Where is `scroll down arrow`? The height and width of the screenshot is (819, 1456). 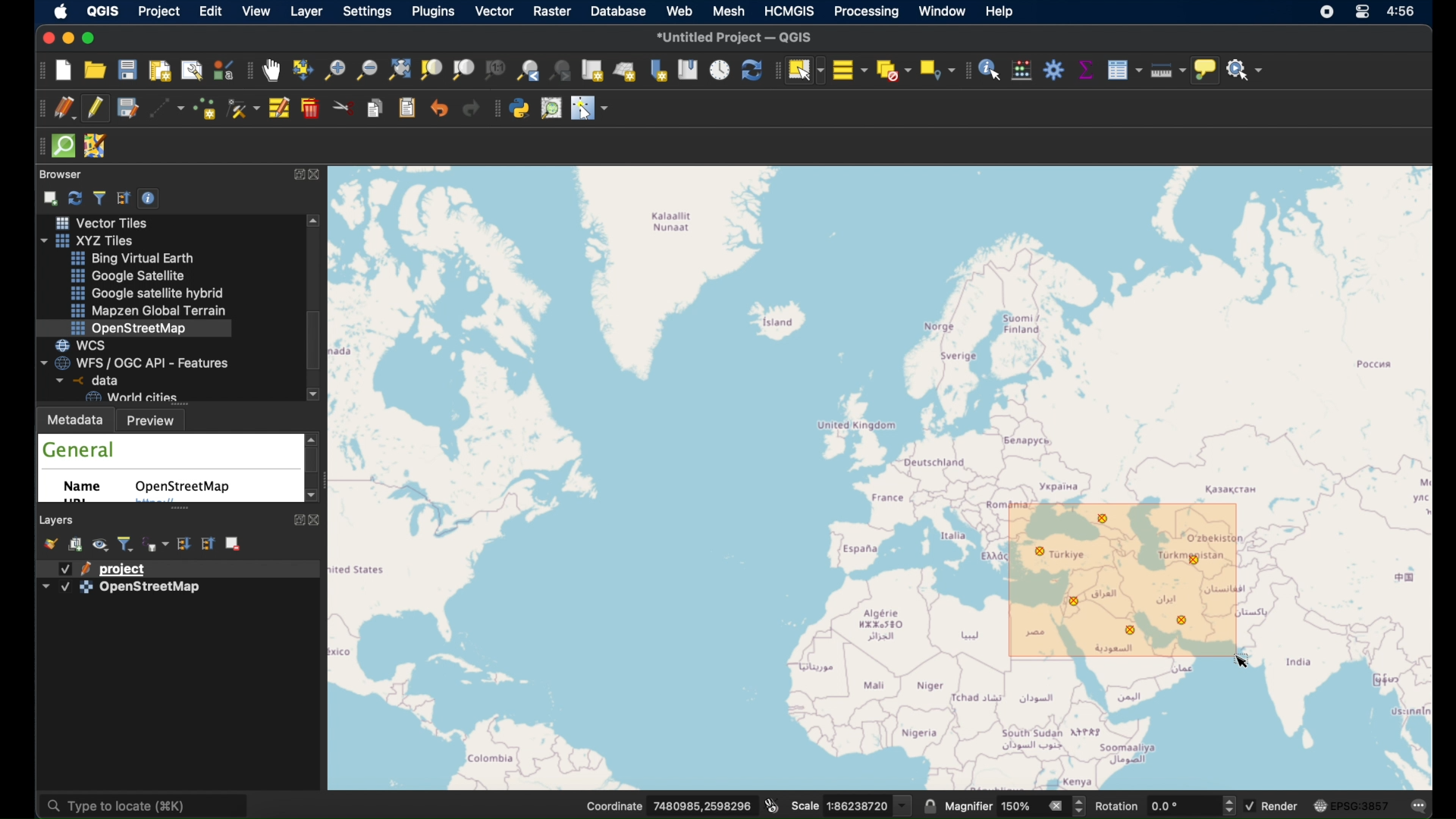 scroll down arrow is located at coordinates (315, 395).